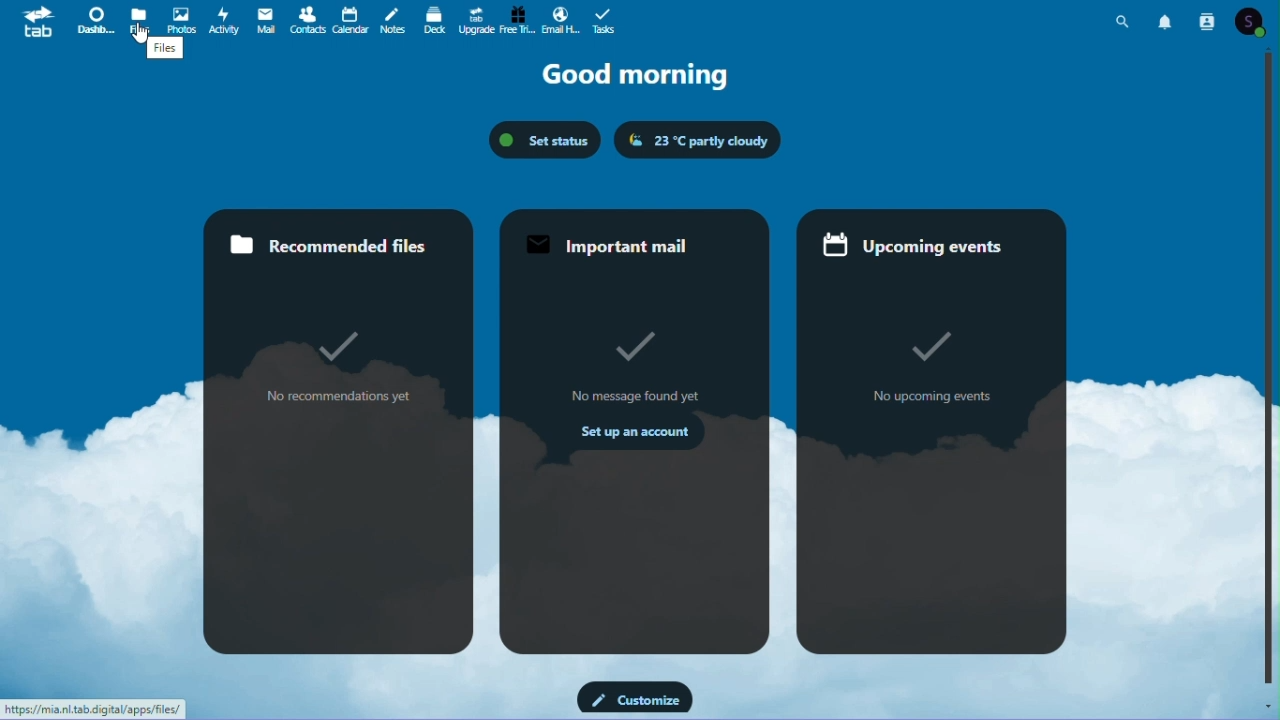 The height and width of the screenshot is (720, 1280). What do you see at coordinates (308, 20) in the screenshot?
I see `contacts` at bounding box center [308, 20].